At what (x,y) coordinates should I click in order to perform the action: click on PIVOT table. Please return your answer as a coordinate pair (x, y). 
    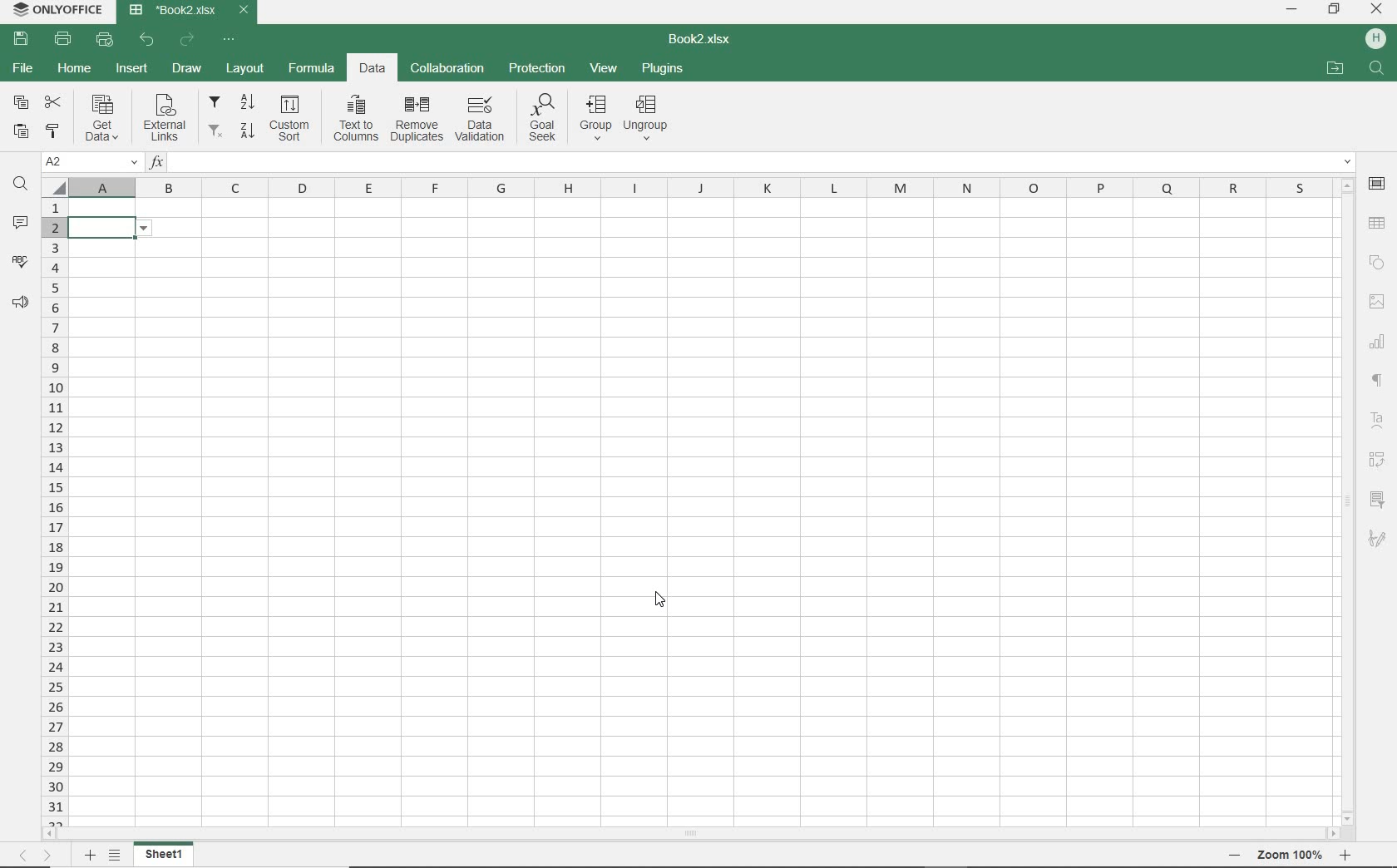
    Looking at the image, I should click on (1377, 460).